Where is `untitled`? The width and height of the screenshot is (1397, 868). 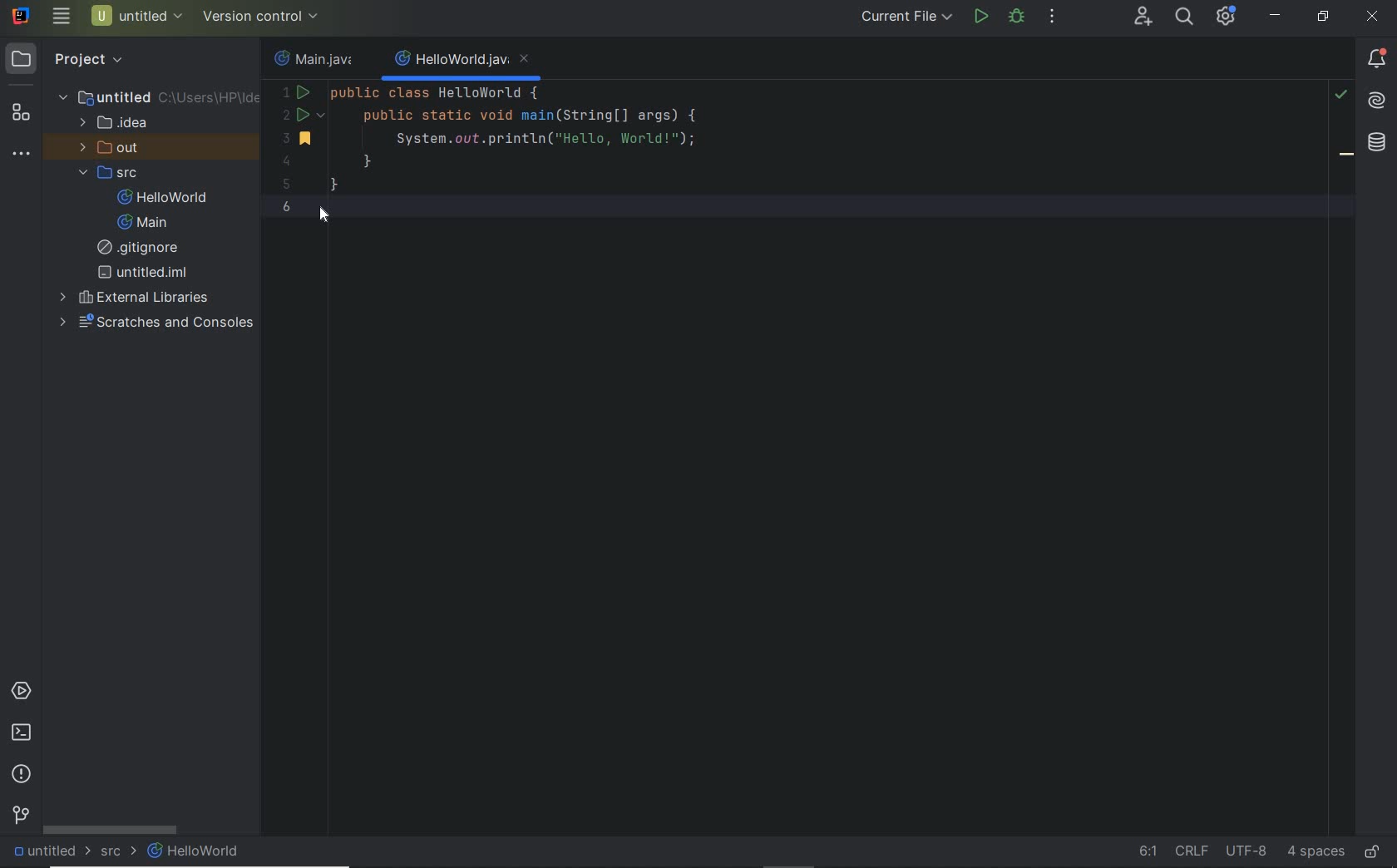 untitled is located at coordinates (48, 852).